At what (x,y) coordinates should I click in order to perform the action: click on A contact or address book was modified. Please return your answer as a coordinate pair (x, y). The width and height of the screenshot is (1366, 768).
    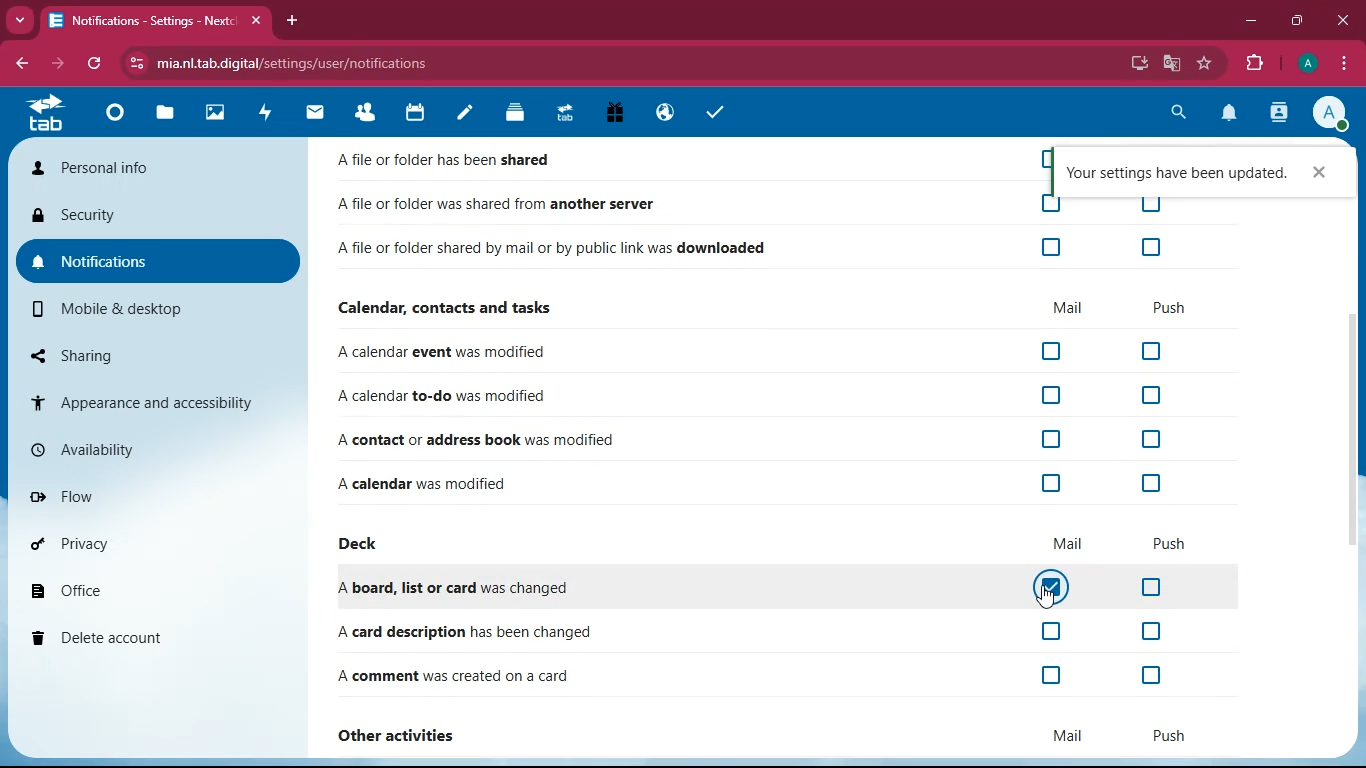
    Looking at the image, I should click on (484, 437).